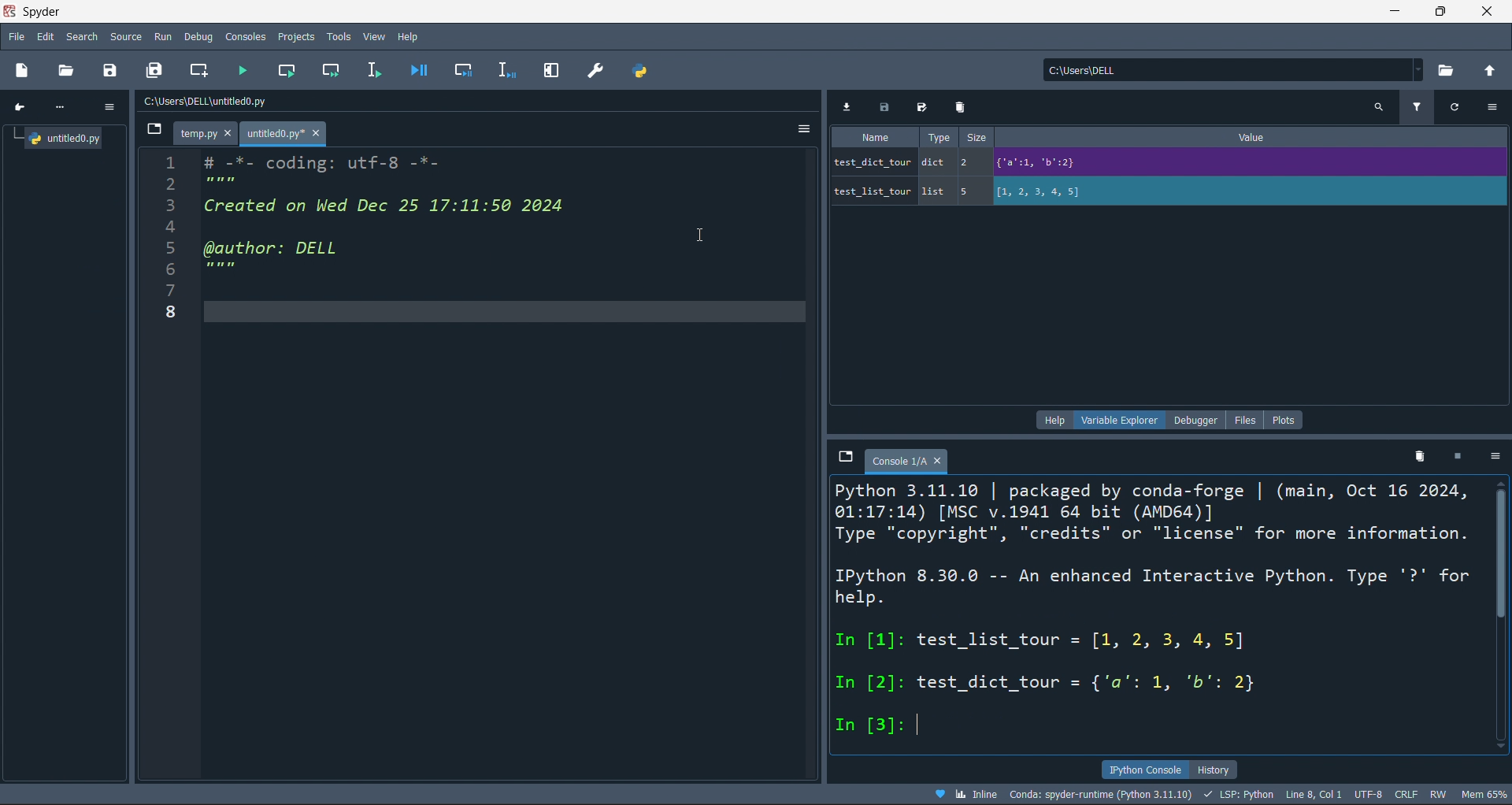 The width and height of the screenshot is (1512, 805). What do you see at coordinates (246, 37) in the screenshot?
I see `console` at bounding box center [246, 37].